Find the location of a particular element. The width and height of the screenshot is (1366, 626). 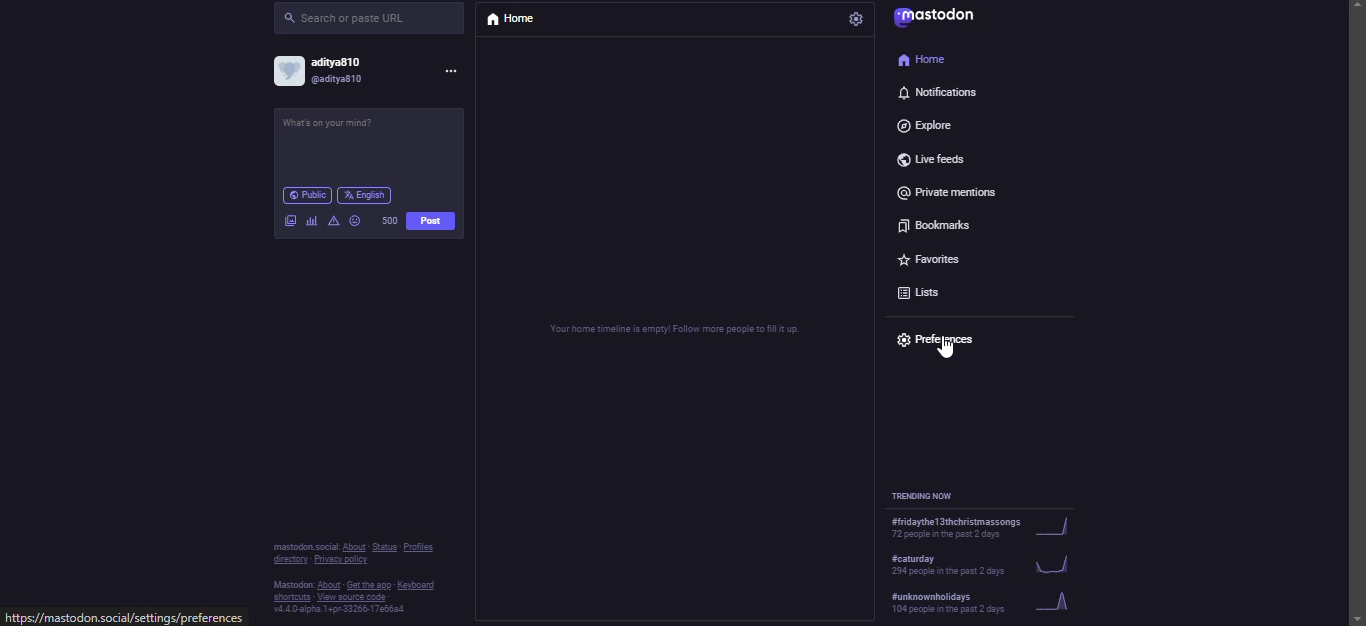

polls is located at coordinates (312, 220).